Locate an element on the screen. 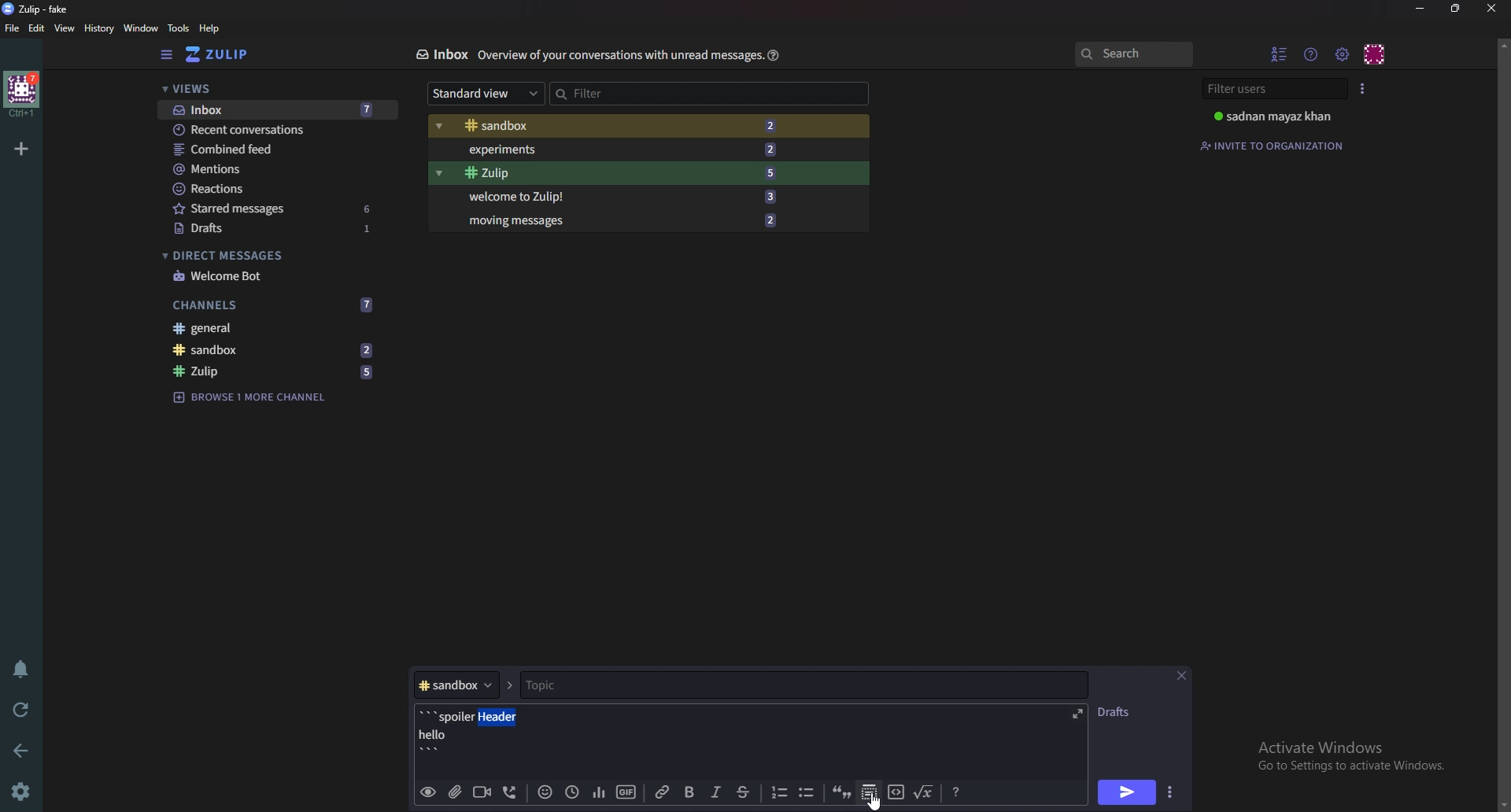  #General is located at coordinates (278, 330).